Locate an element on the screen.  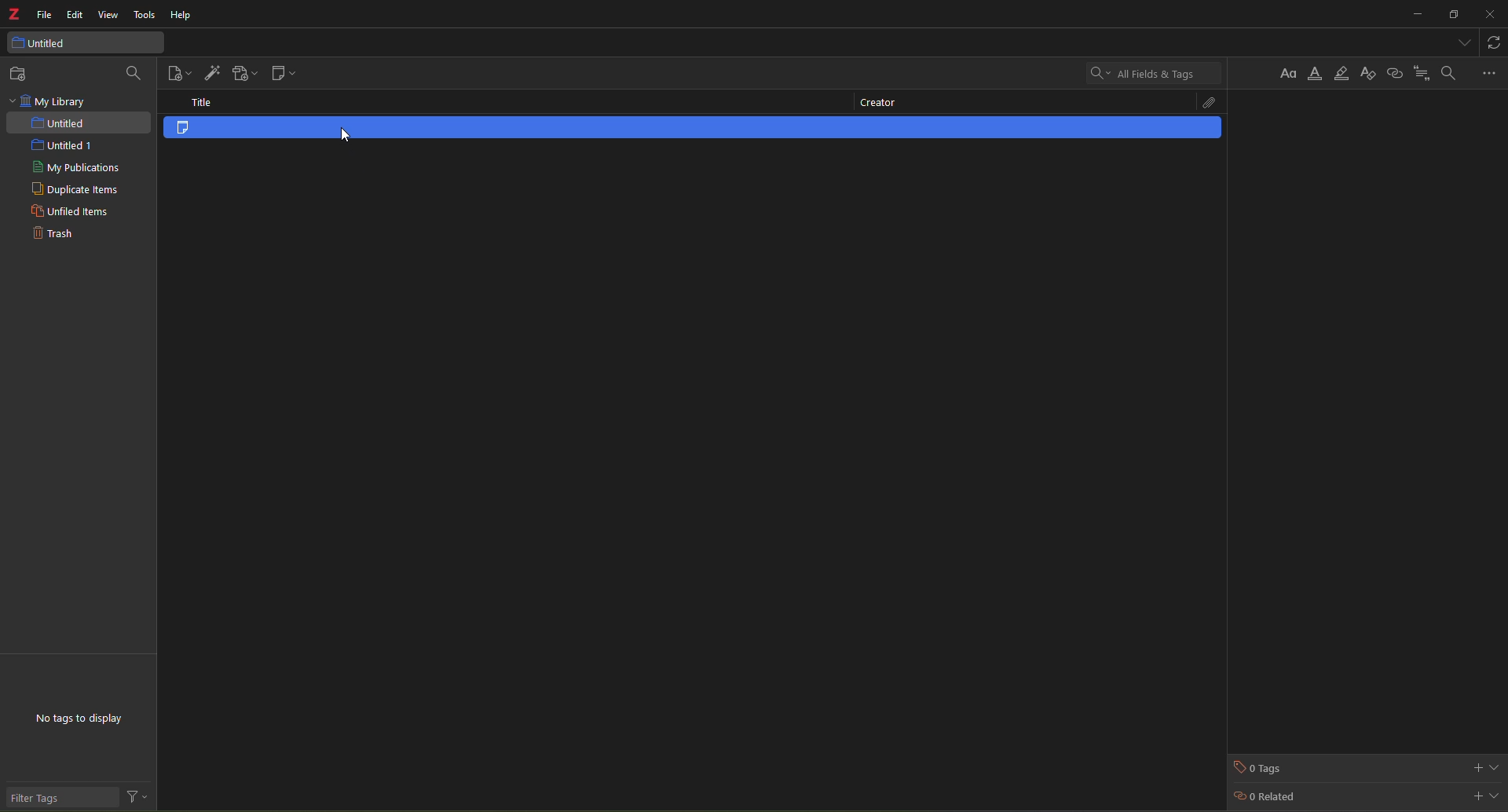
find and replace is located at coordinates (1448, 72).